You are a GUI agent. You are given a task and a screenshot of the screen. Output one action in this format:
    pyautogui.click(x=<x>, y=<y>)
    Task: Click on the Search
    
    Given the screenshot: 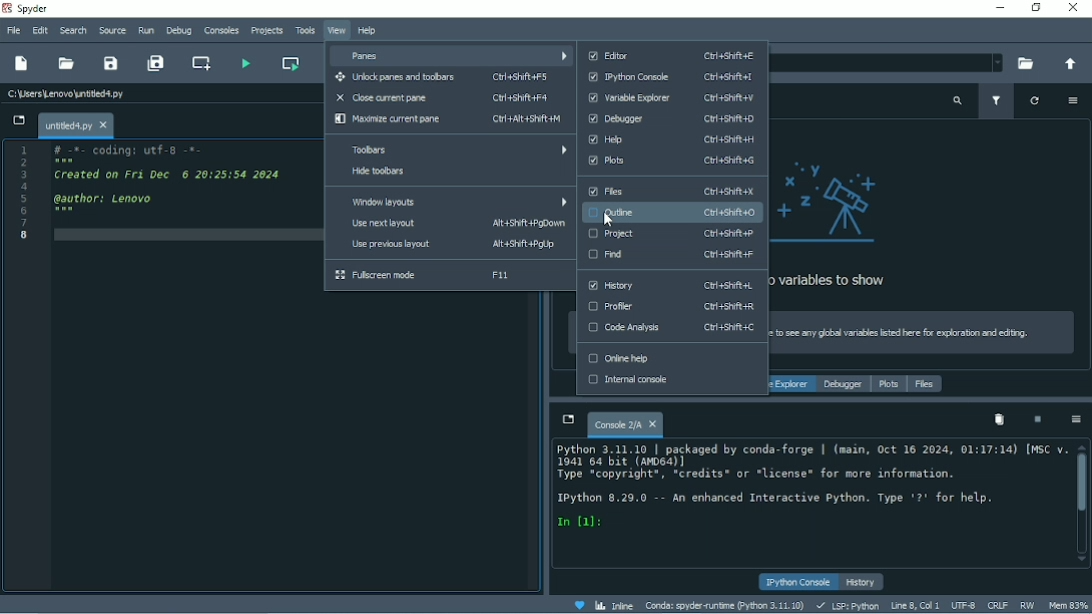 What is the action you would take?
    pyautogui.click(x=74, y=31)
    